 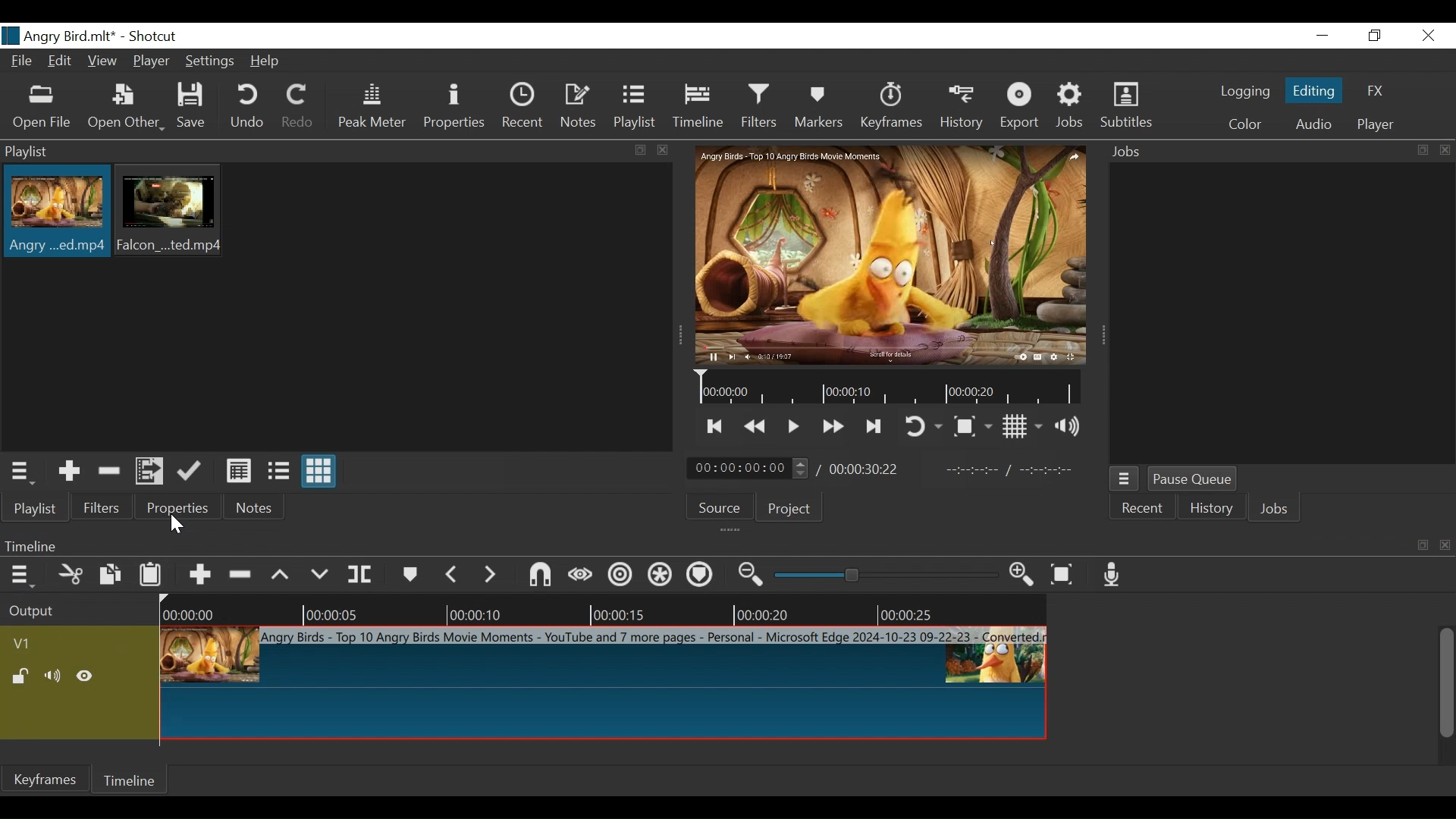 I want to click on Skip to the next point, so click(x=874, y=427).